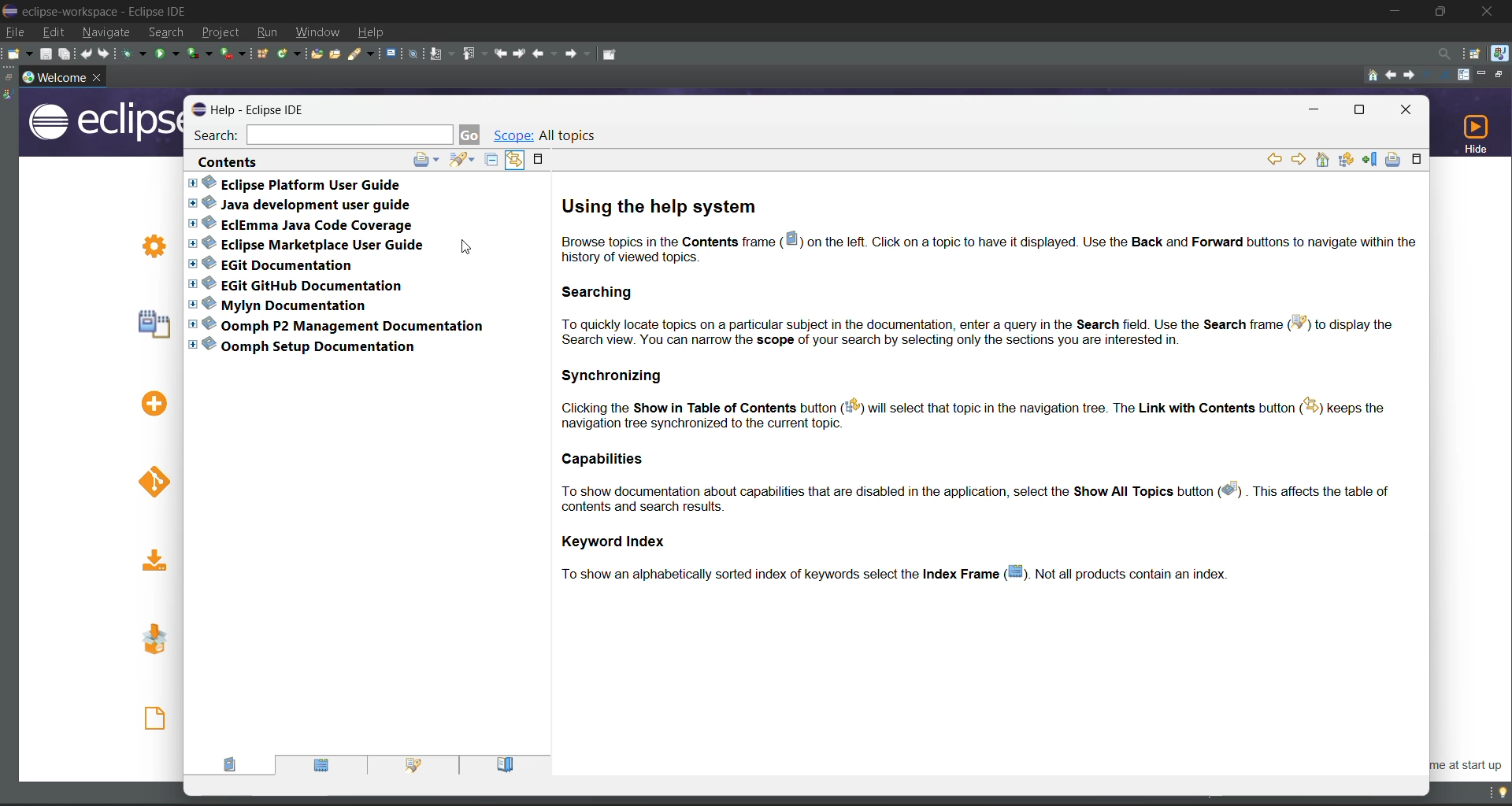  What do you see at coordinates (9, 96) in the screenshot?
I see `java` at bounding box center [9, 96].